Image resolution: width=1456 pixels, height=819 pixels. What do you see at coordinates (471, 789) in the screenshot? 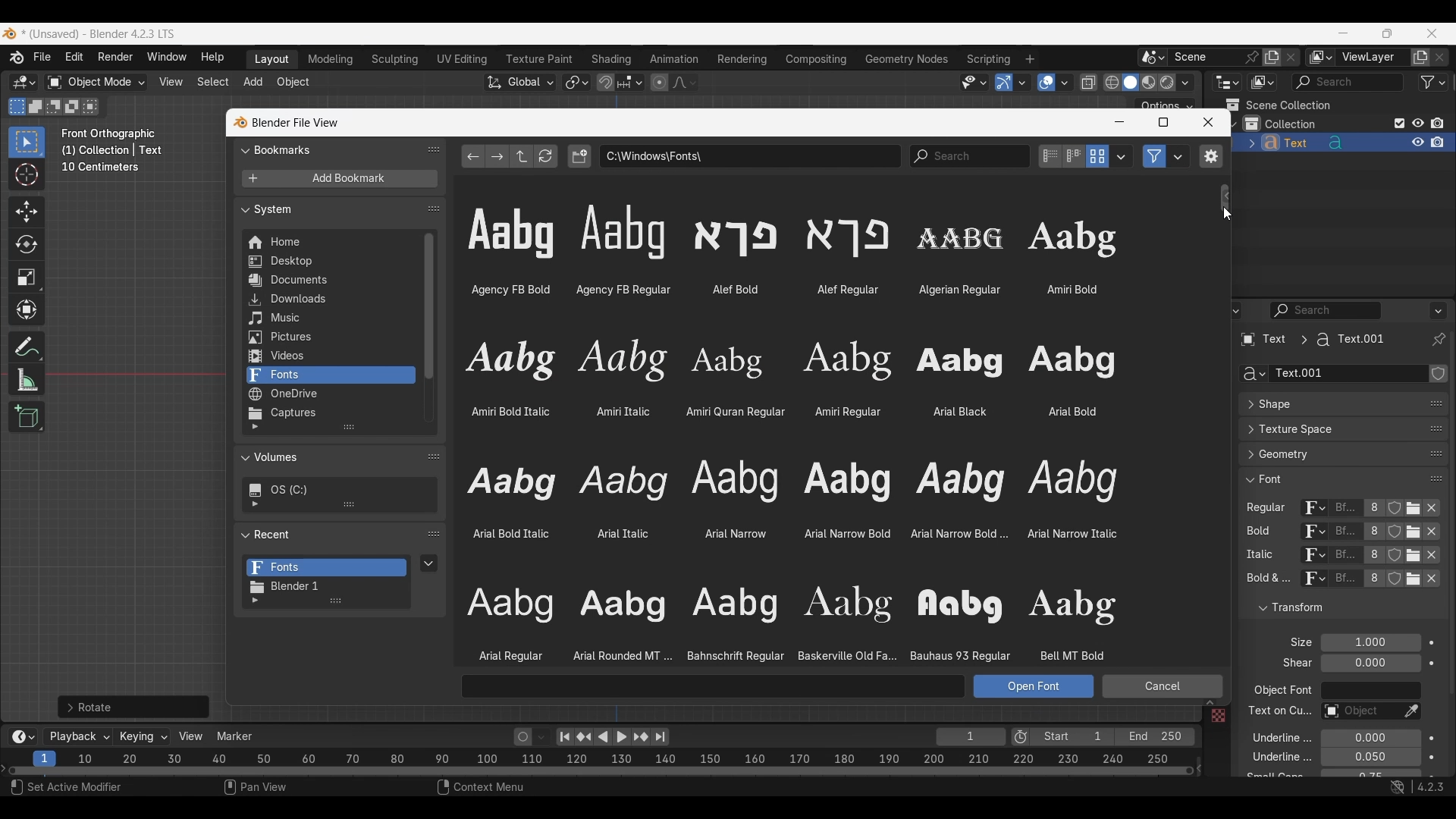
I see `content menu` at bounding box center [471, 789].